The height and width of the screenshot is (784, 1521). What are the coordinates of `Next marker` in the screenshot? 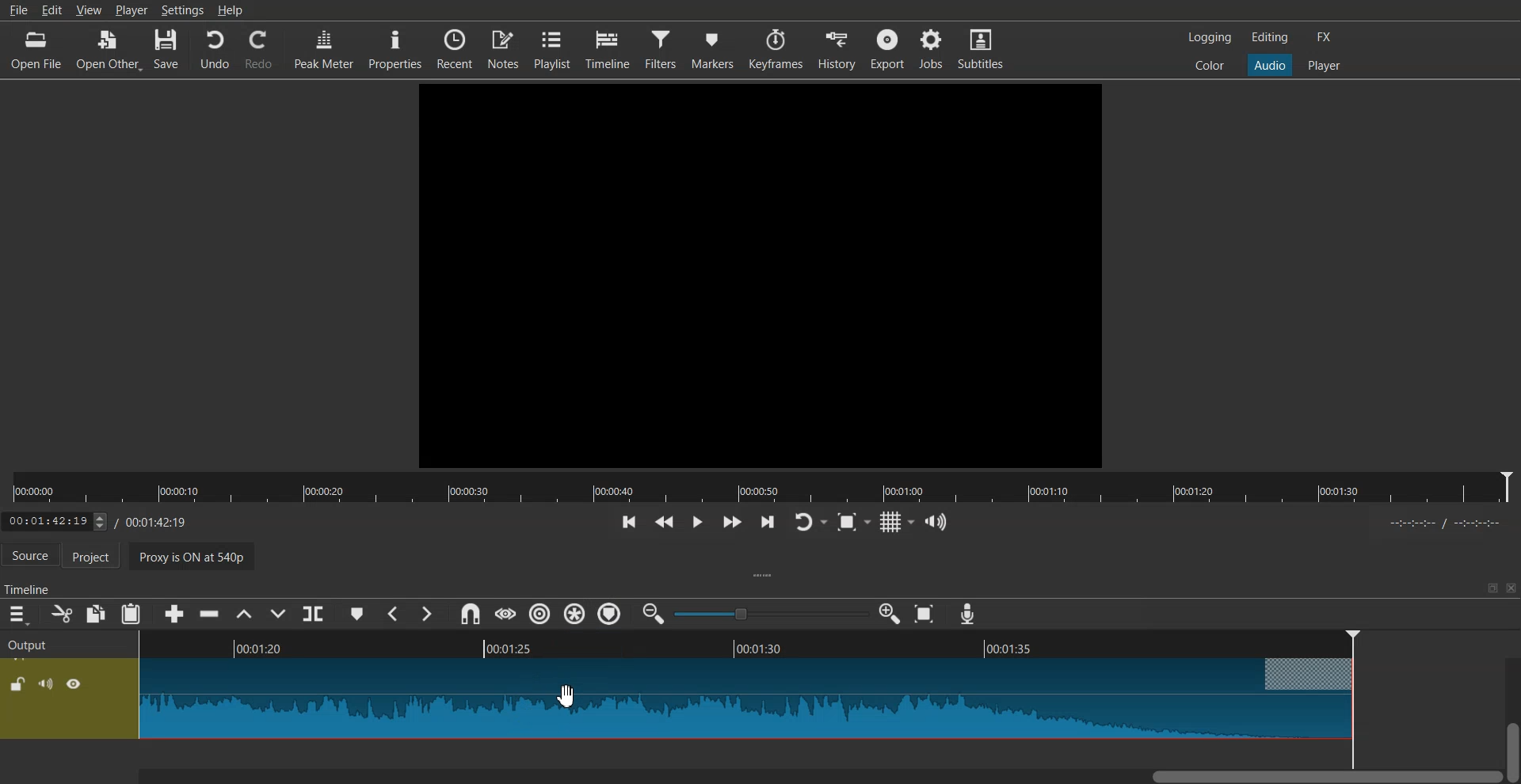 It's located at (427, 613).